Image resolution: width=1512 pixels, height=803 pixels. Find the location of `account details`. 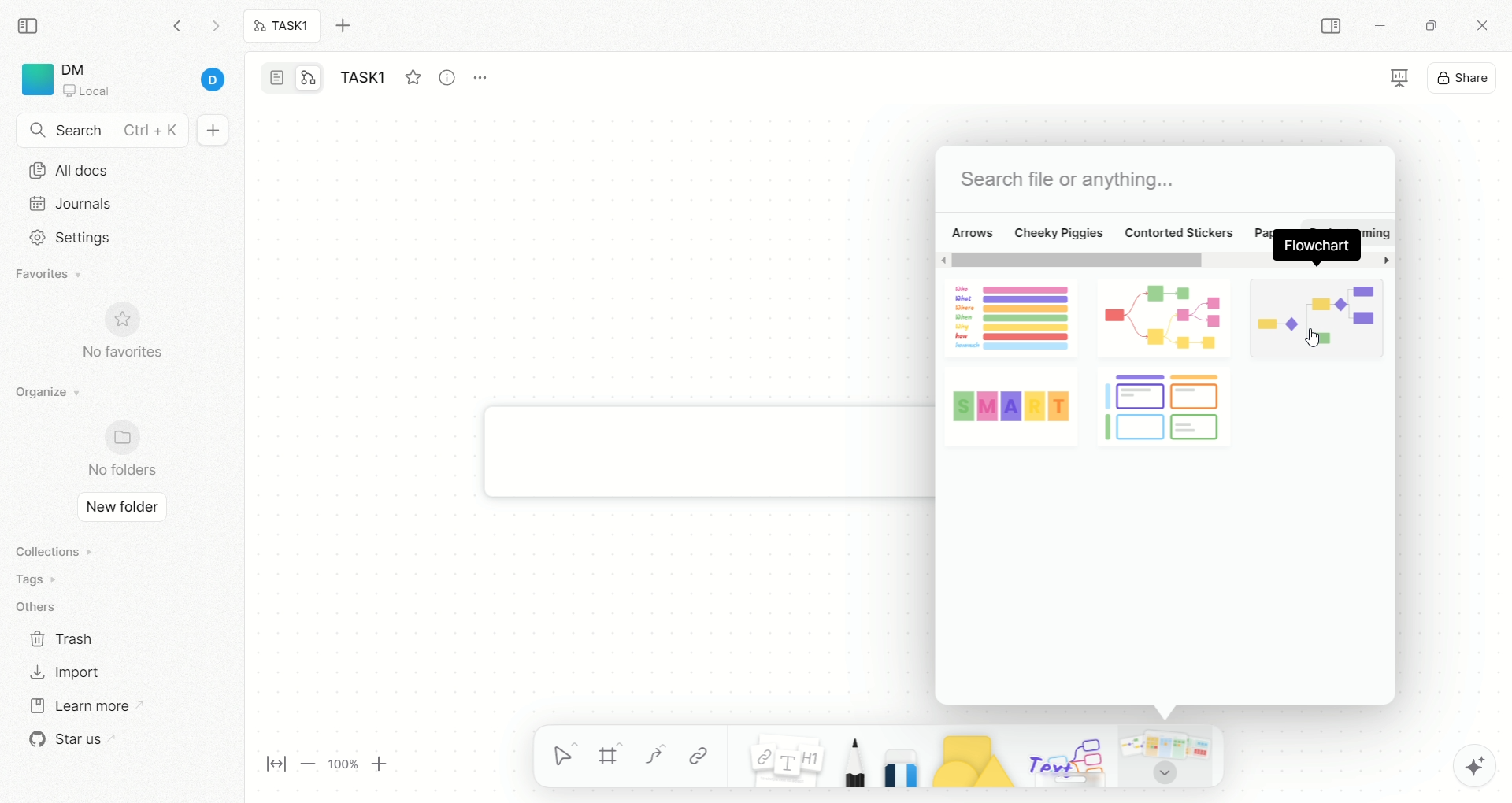

account details is located at coordinates (147, 81).